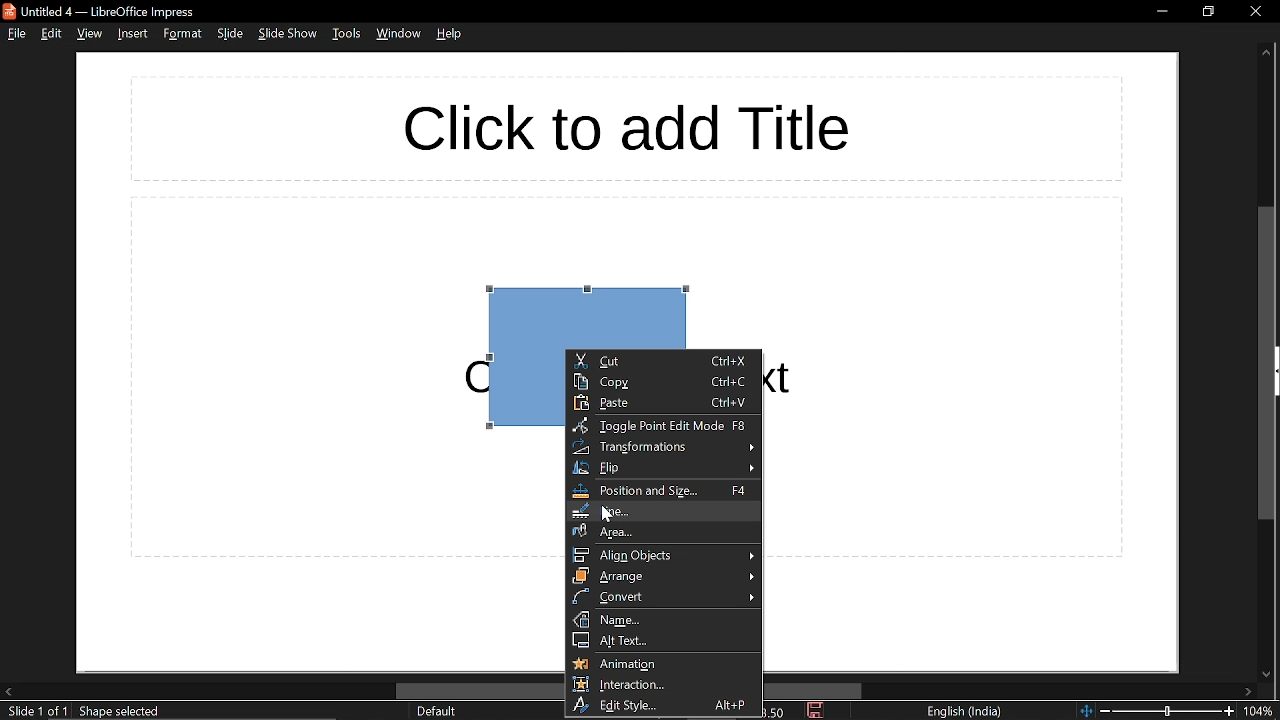 This screenshot has height=720, width=1280. I want to click on current window, so click(100, 11).